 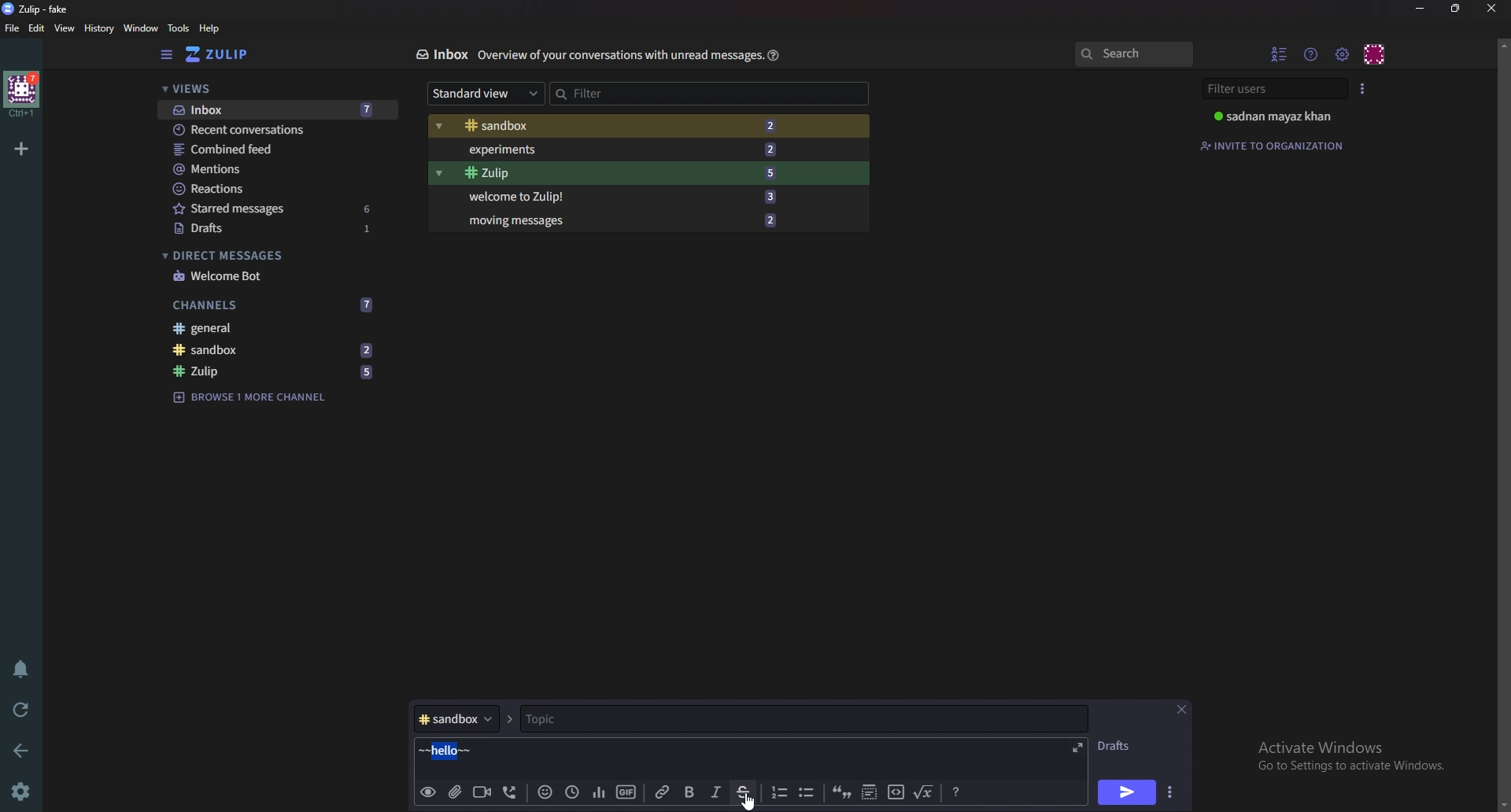 What do you see at coordinates (1080, 746) in the screenshot?
I see `Expand` at bounding box center [1080, 746].